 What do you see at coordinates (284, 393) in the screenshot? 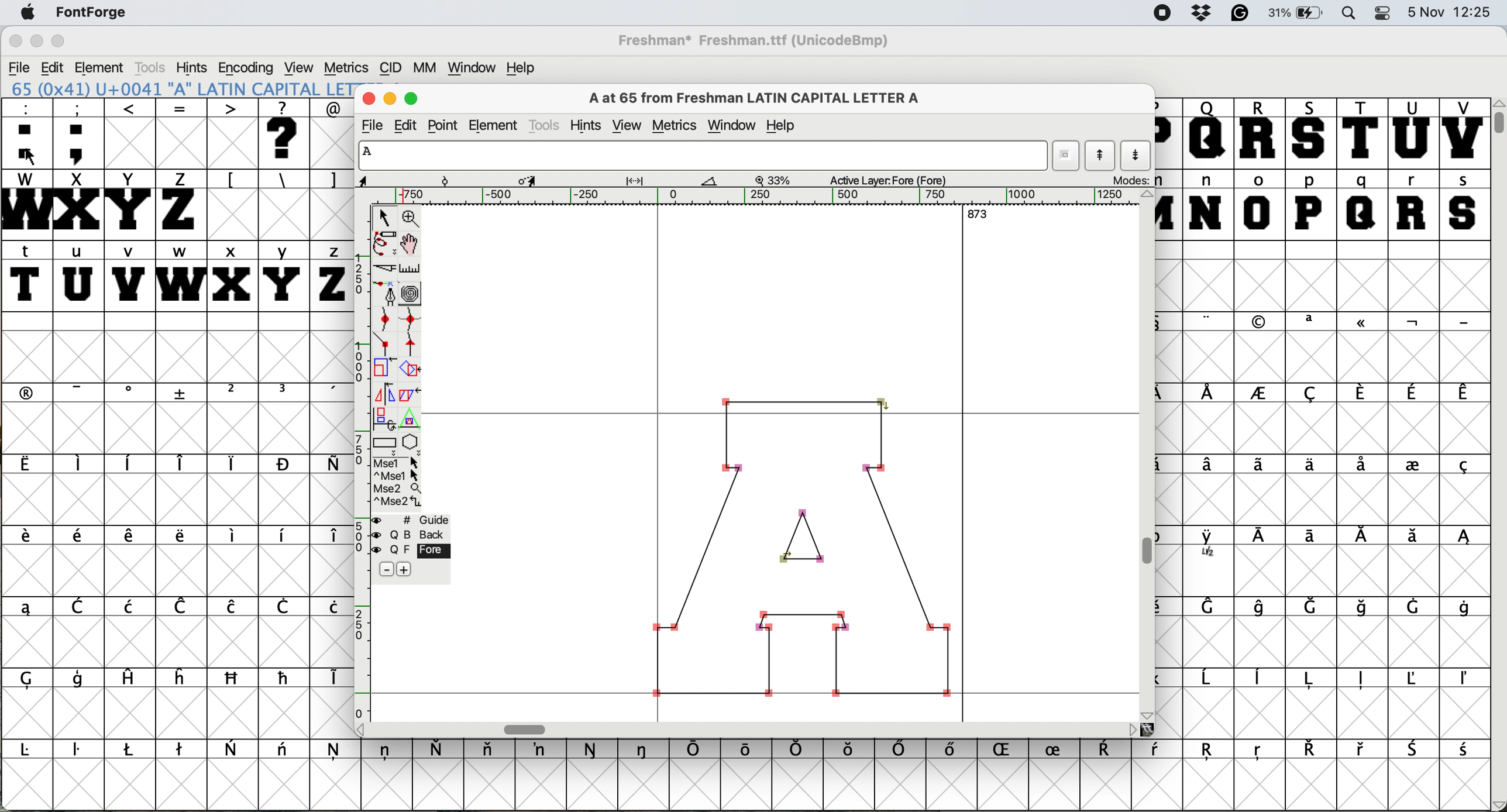
I see `symbol` at bounding box center [284, 393].